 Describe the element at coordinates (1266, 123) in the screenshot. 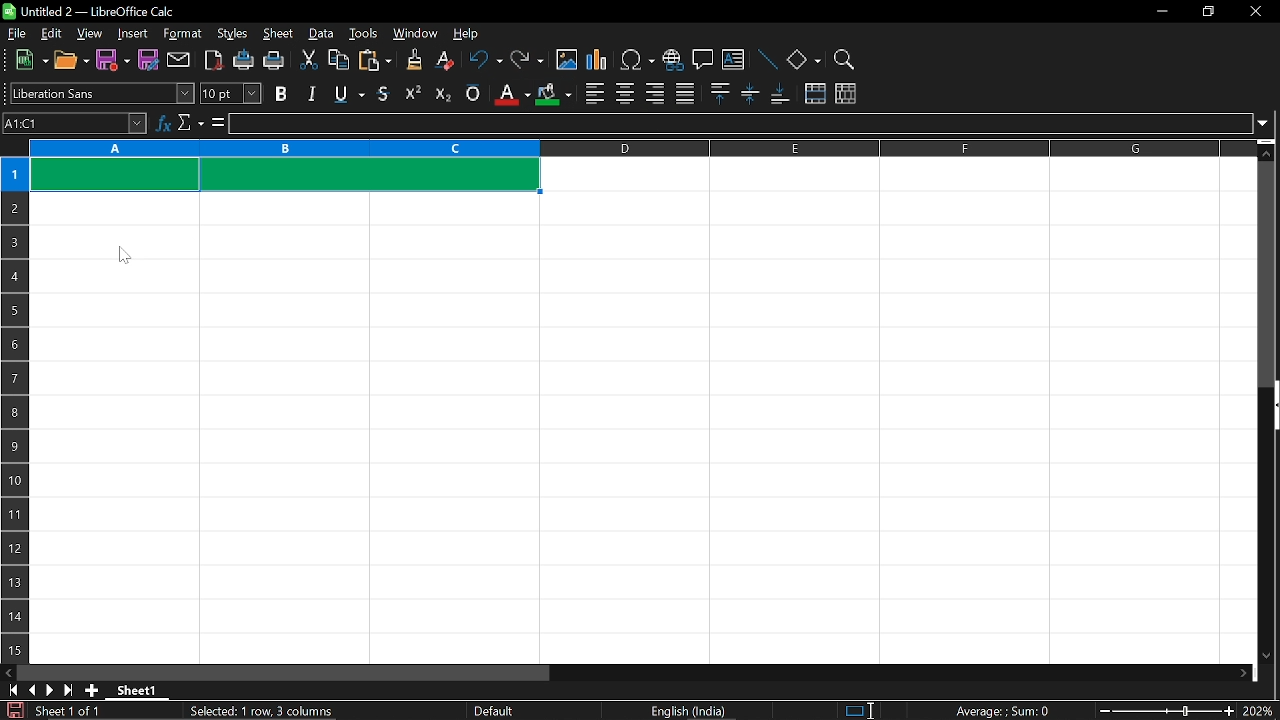

I see `expand formula bar` at that location.